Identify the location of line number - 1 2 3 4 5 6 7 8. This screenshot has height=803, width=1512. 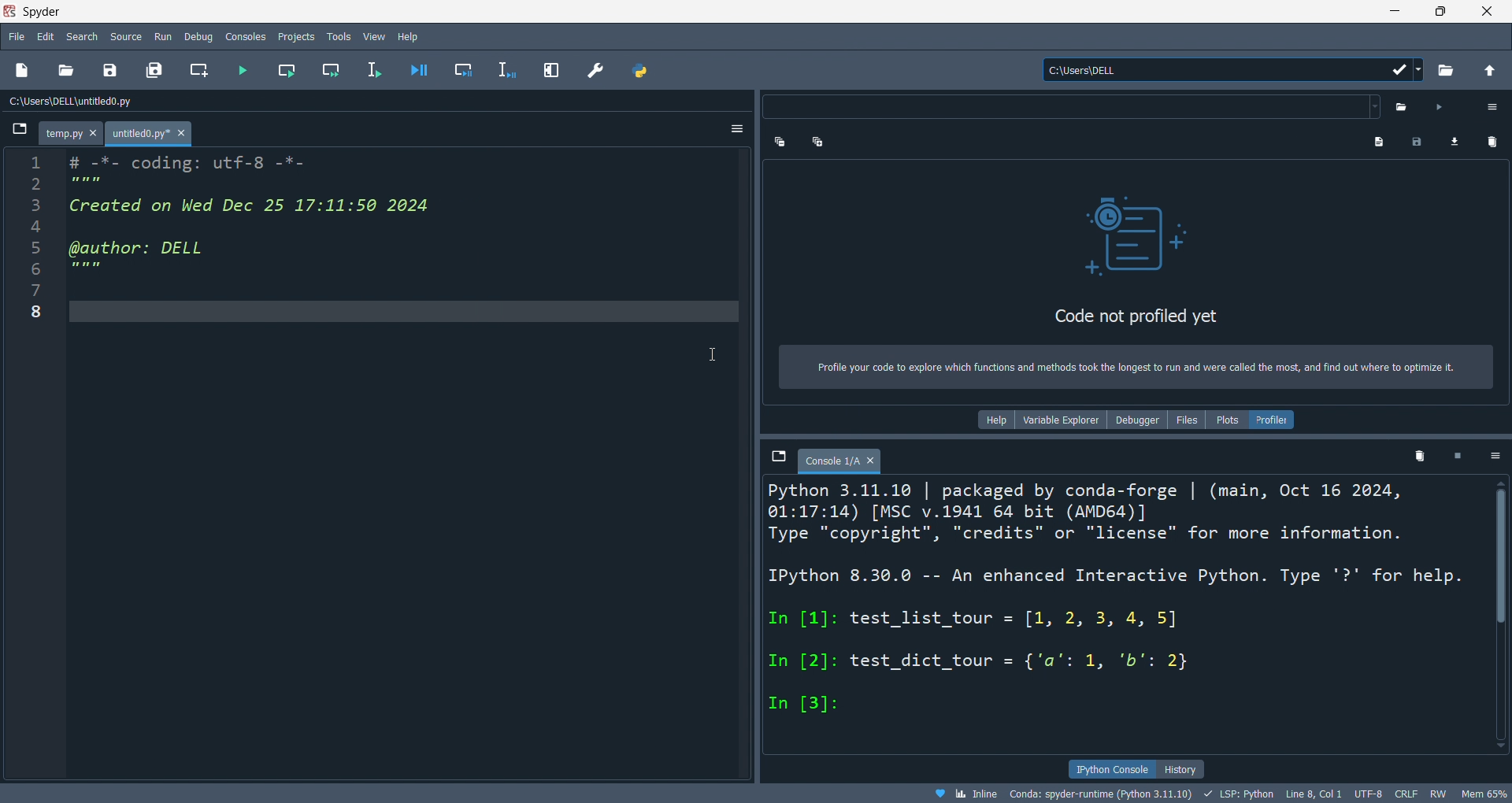
(35, 465).